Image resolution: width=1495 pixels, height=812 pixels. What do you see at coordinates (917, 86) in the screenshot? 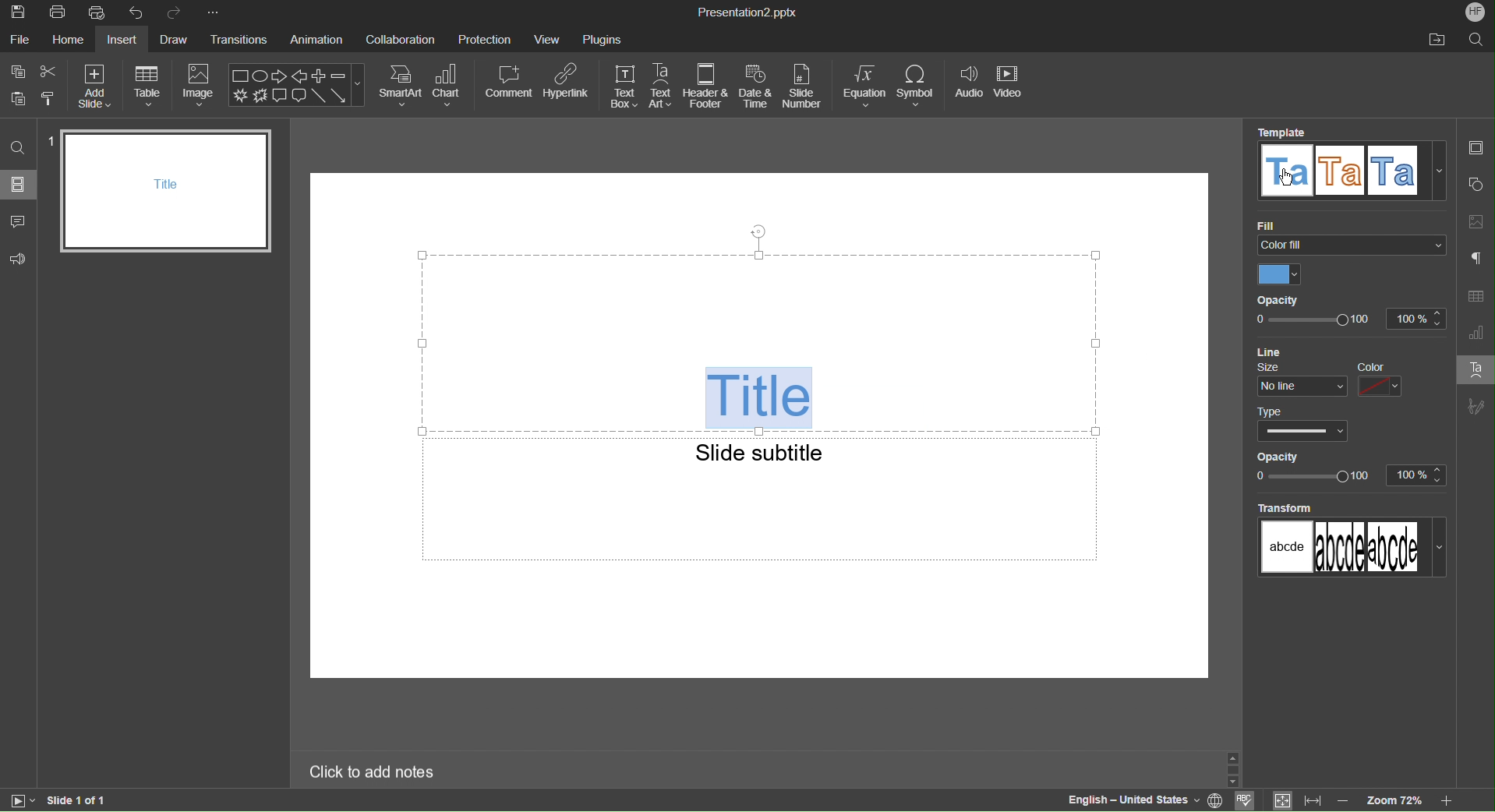
I see `Symbol` at bounding box center [917, 86].